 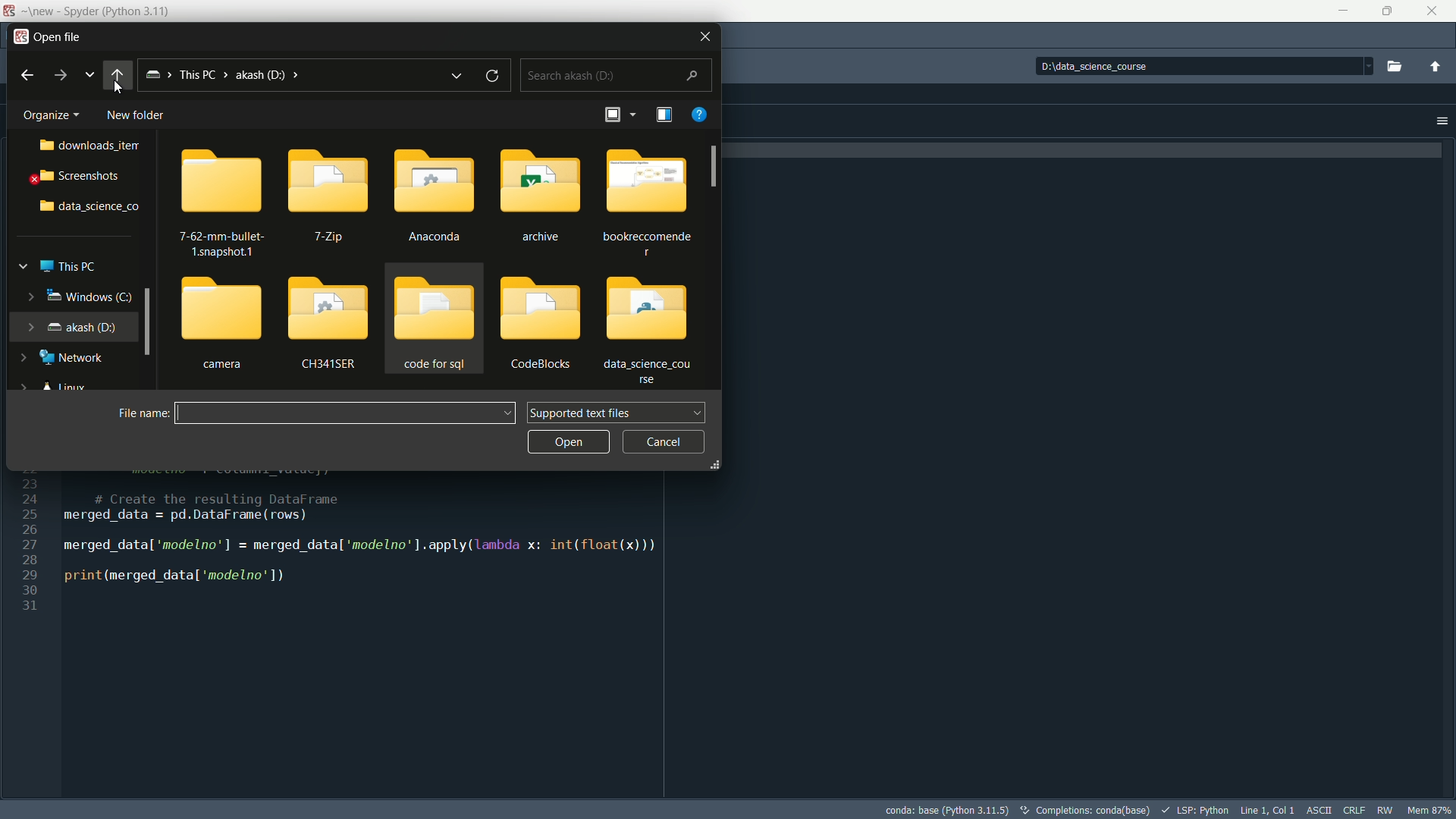 What do you see at coordinates (333, 552) in the screenshot?
I see `24 # Create the resulting DataFrame

25 merged data = pd.DataFrame (rows)

Z merged_data[ 'modelno'] = merged_data['modelno’].apply (lambda x: int(float(x)))
Z print (merged_data['modelno'])

3` at bounding box center [333, 552].